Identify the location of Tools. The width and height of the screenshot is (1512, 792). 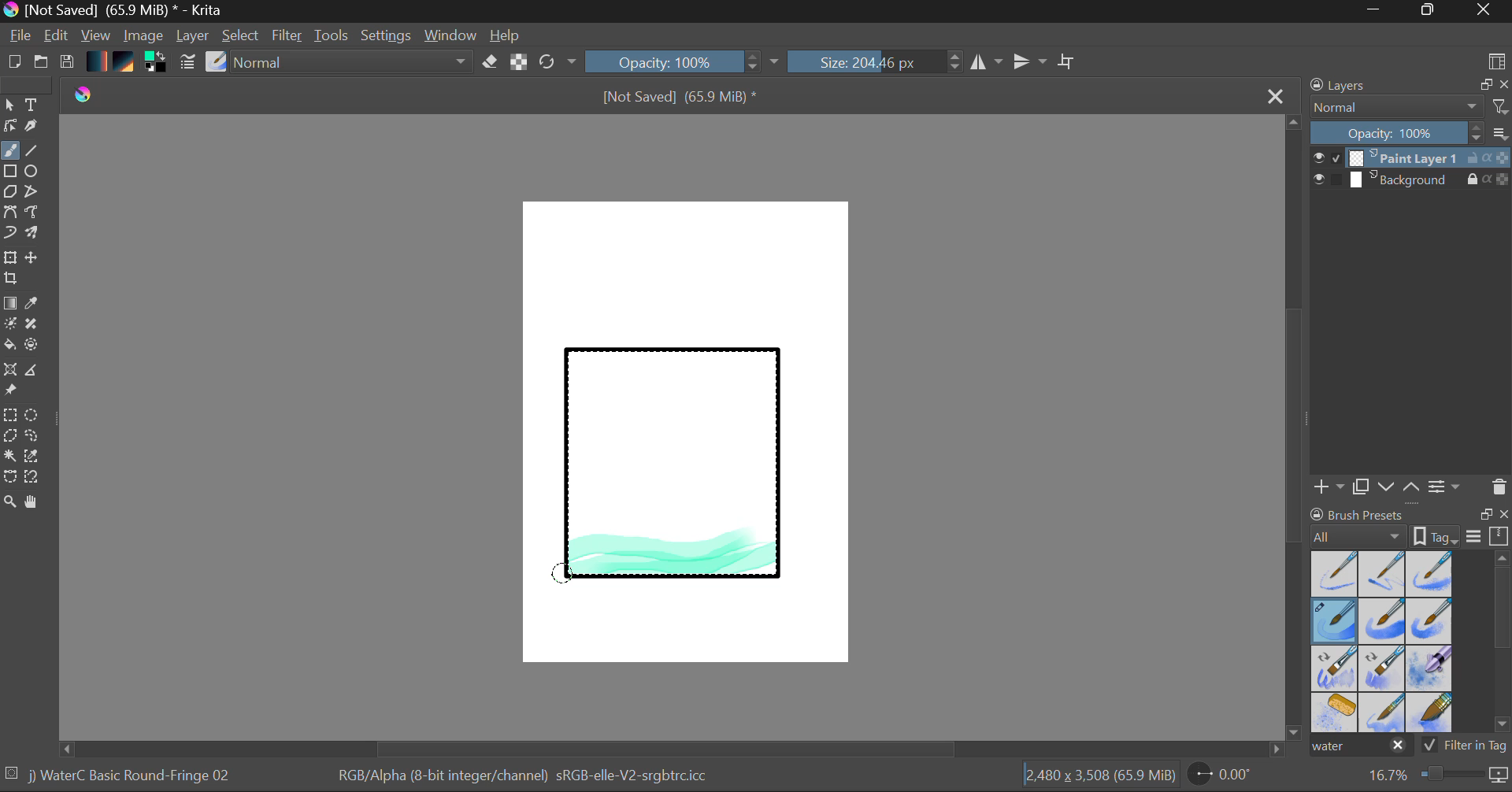
(332, 36).